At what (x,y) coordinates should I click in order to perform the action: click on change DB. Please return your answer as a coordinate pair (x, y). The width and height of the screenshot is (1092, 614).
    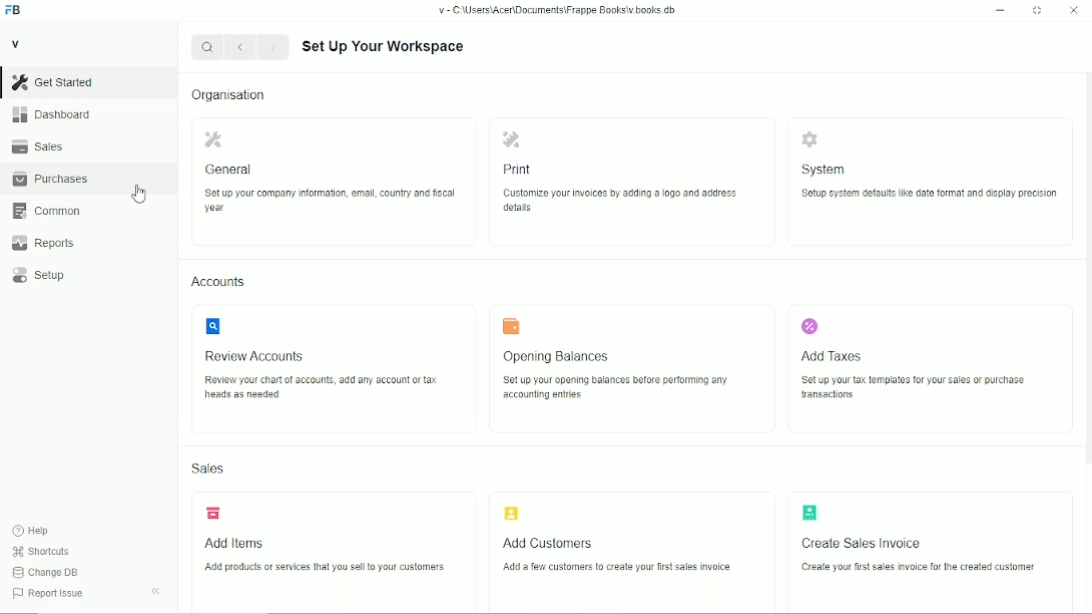
    Looking at the image, I should click on (45, 572).